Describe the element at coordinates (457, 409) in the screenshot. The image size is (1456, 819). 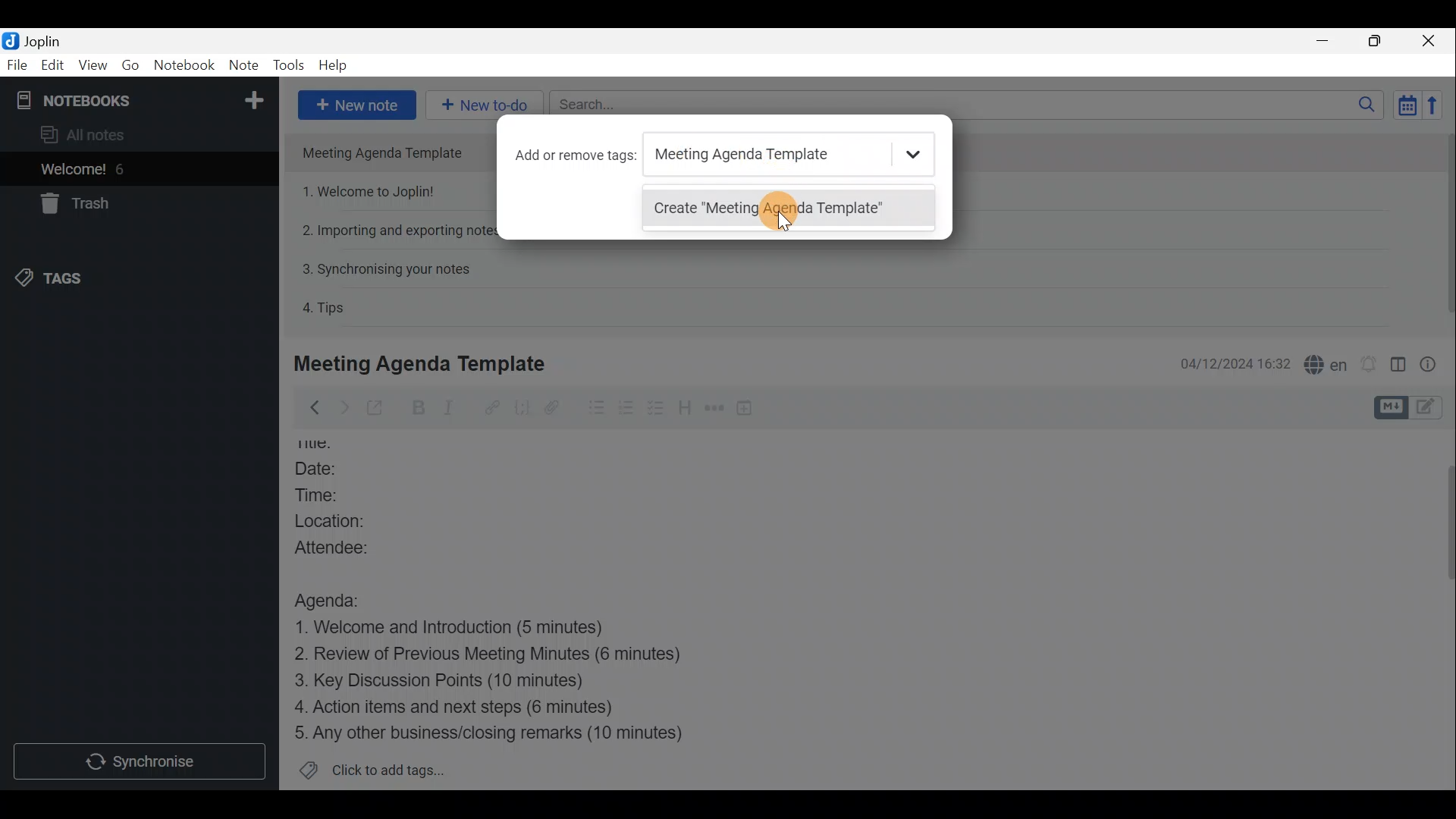
I see `Italic` at that location.